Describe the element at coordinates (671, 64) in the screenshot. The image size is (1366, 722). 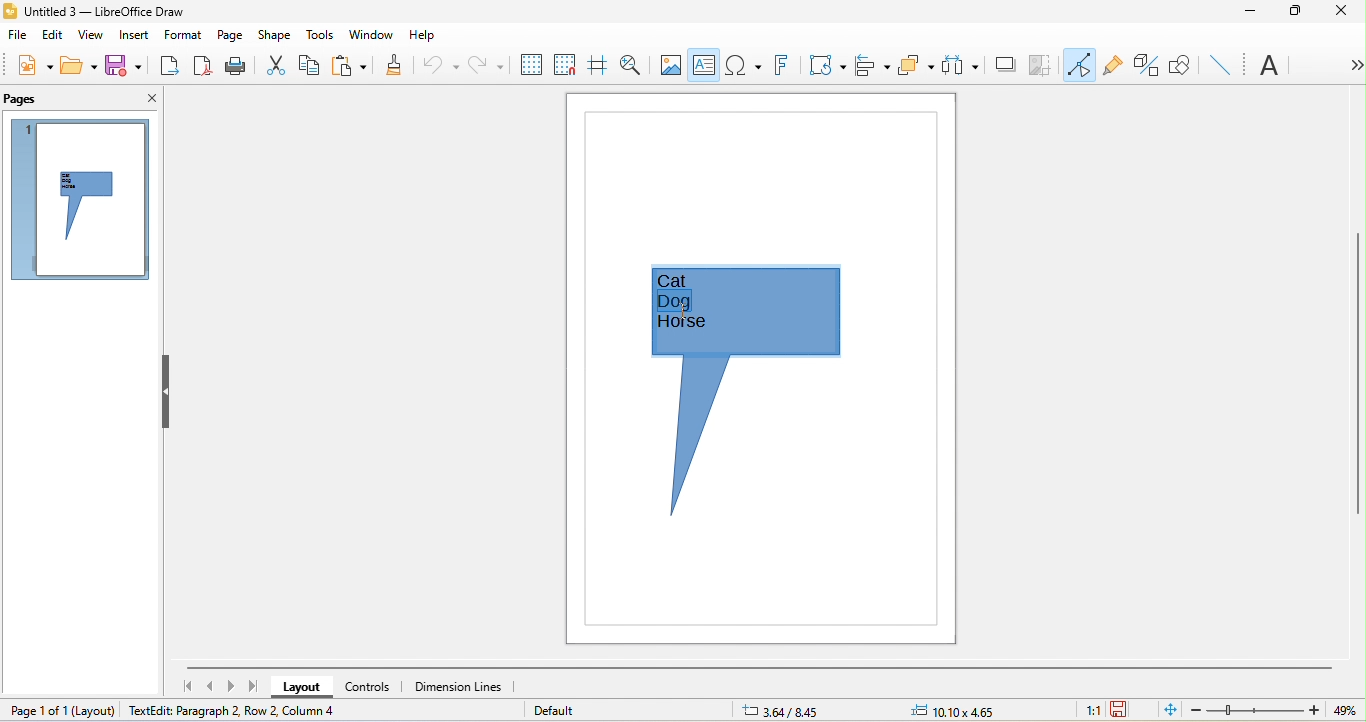
I see `image` at that location.